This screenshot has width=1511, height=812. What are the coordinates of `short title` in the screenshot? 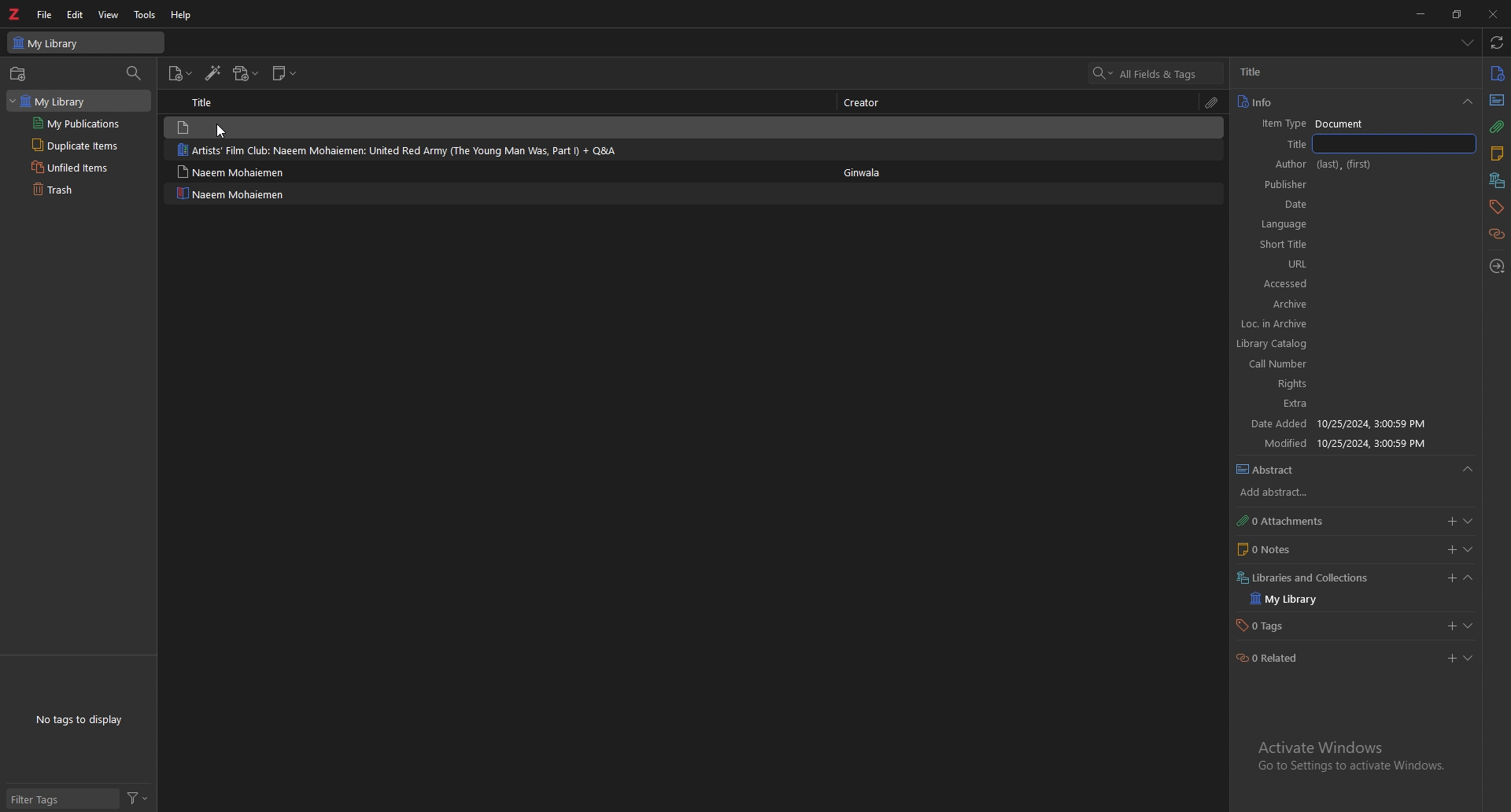 It's located at (1280, 404).